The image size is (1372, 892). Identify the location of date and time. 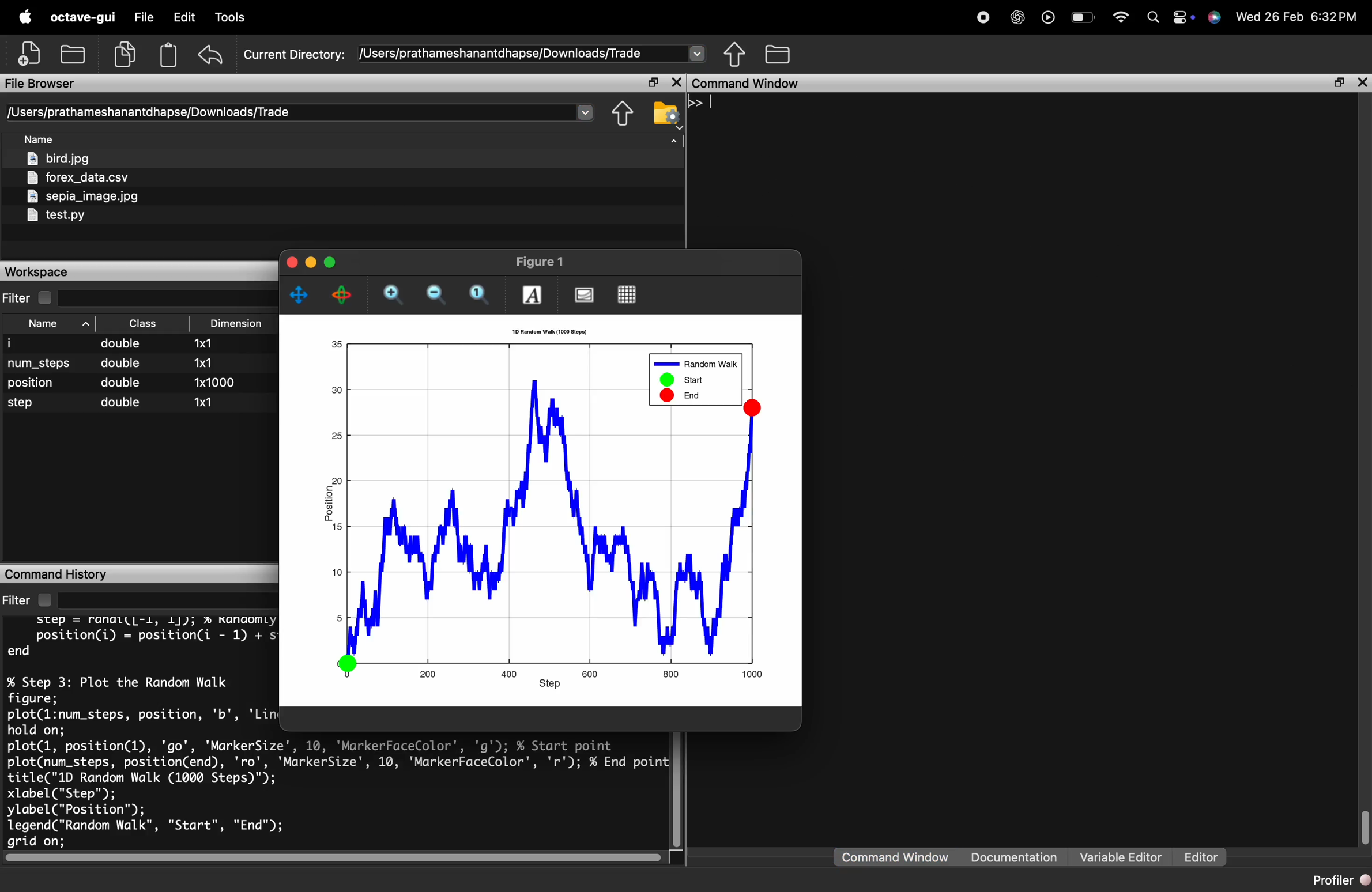
(1299, 16).